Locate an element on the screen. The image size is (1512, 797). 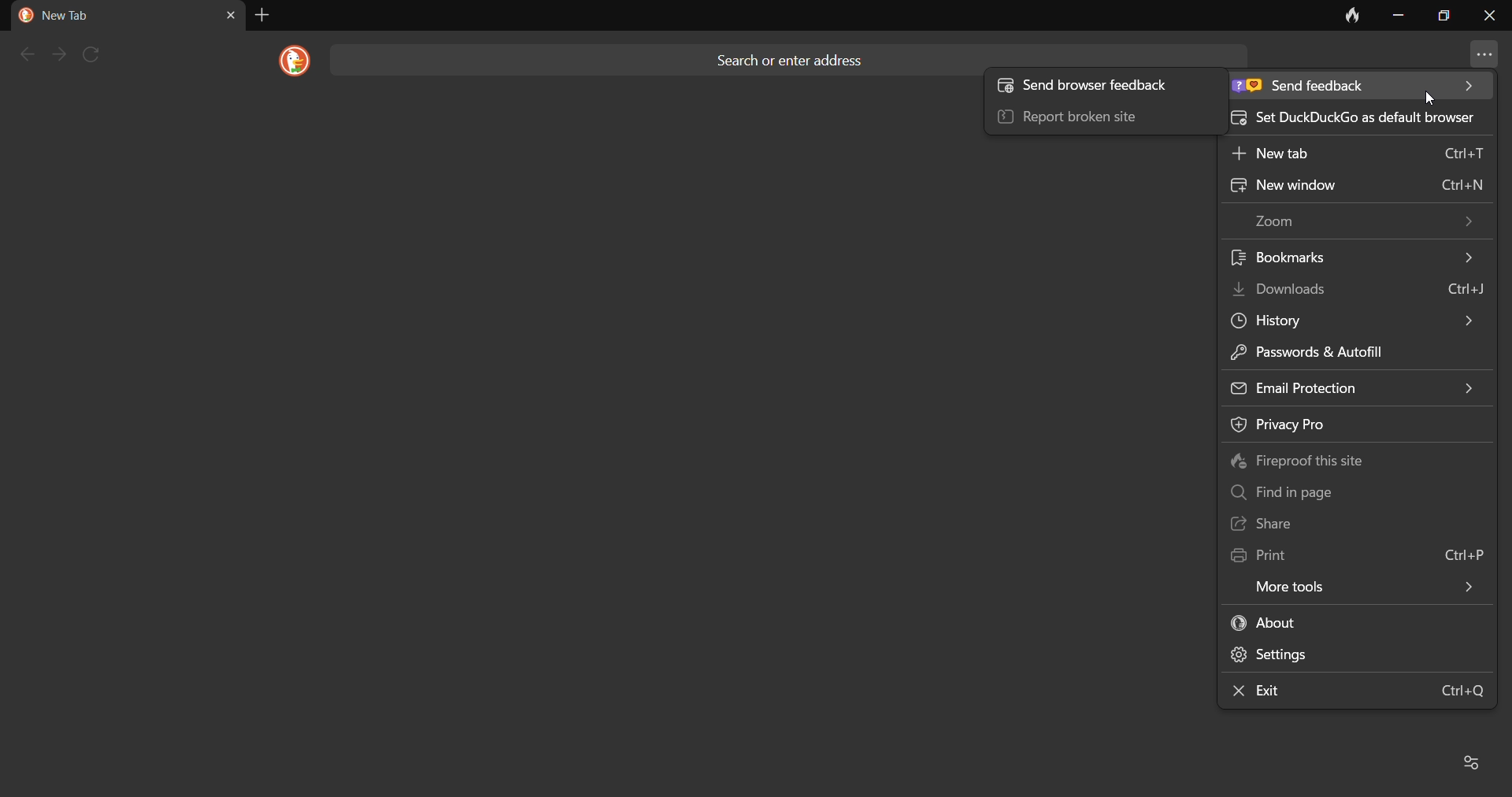
new window is located at coordinates (1352, 185).